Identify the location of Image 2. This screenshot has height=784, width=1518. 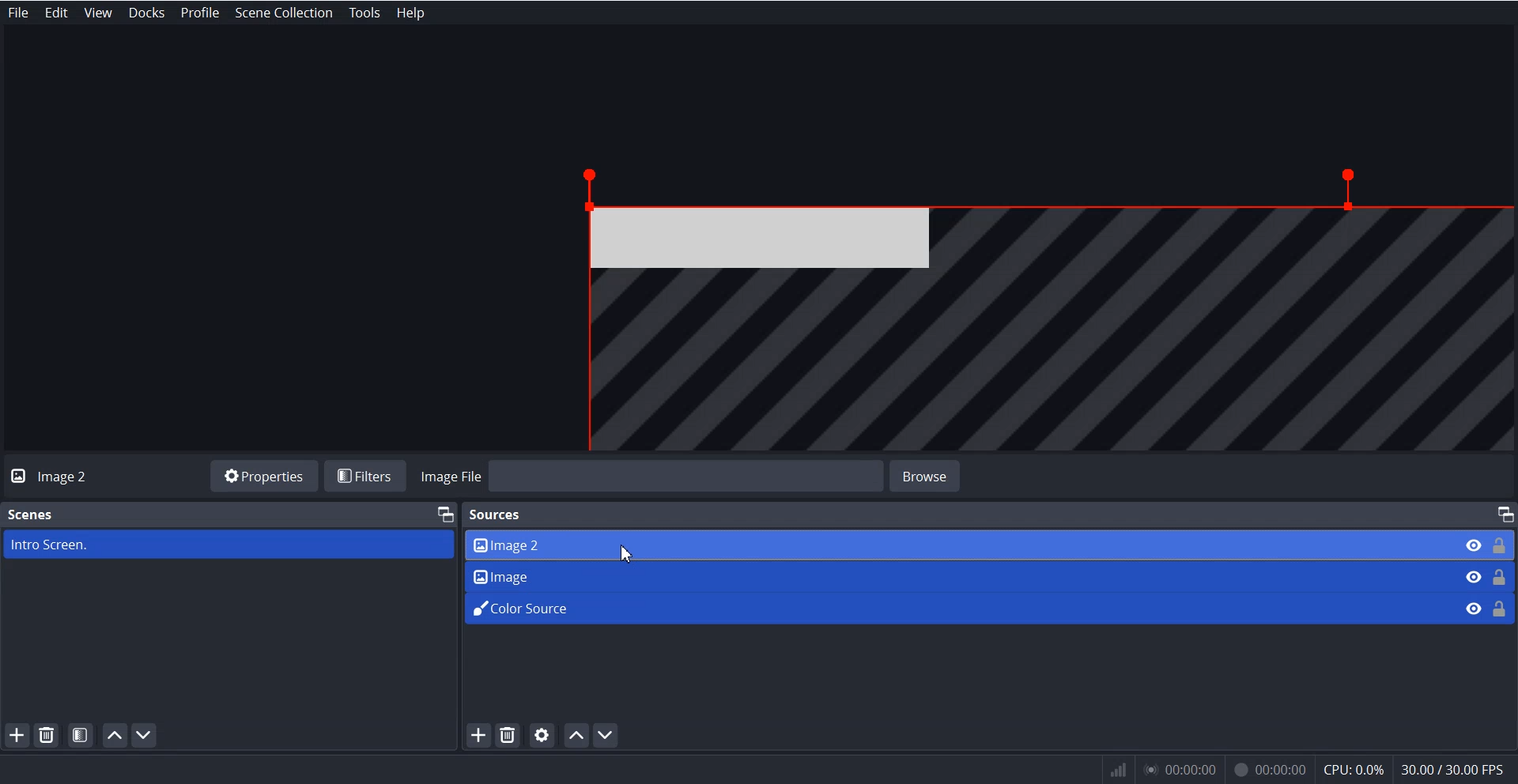
(69, 477).